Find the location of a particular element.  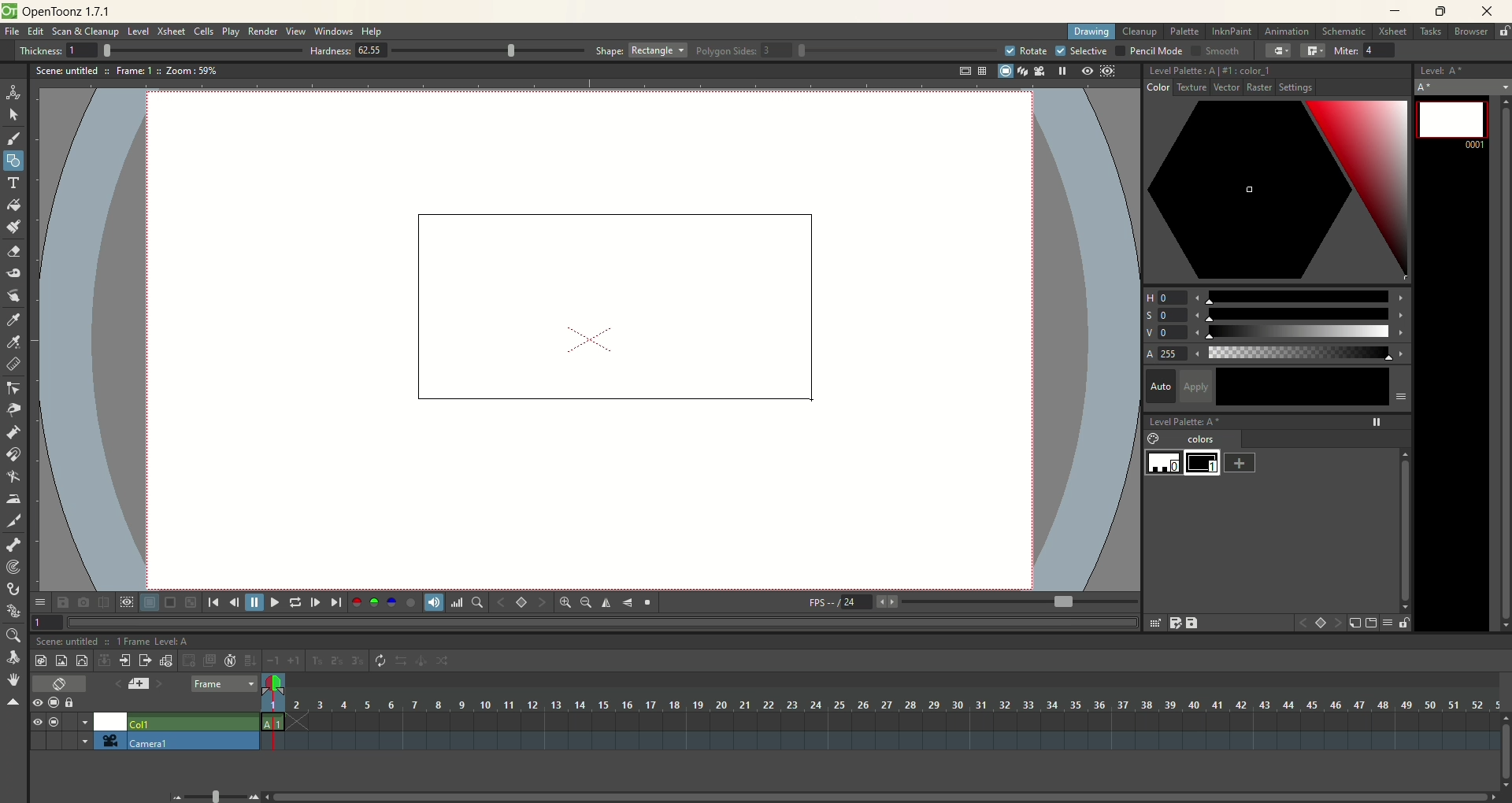

set key is located at coordinates (521, 601).